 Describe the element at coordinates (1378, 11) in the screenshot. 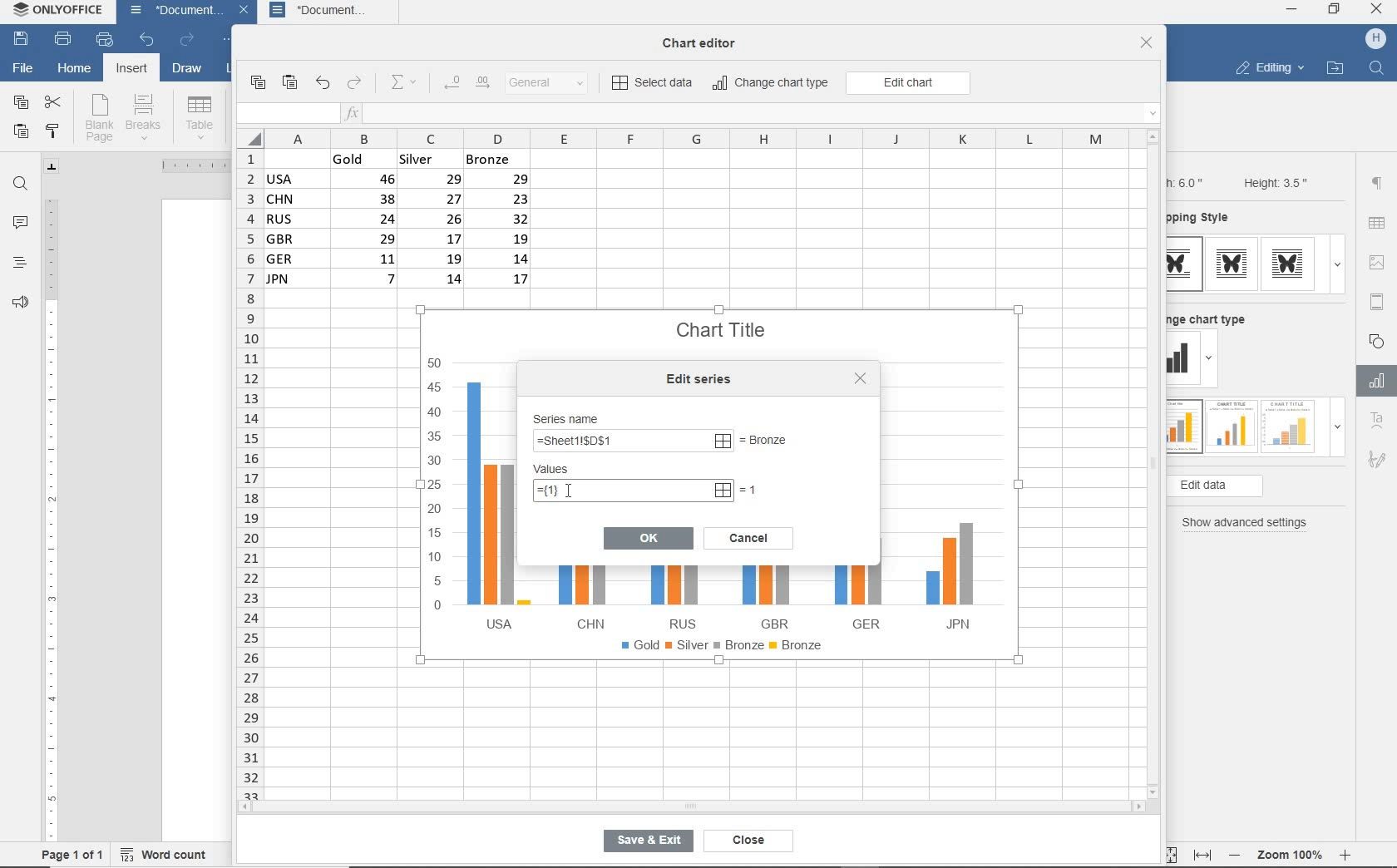

I see `close` at that location.